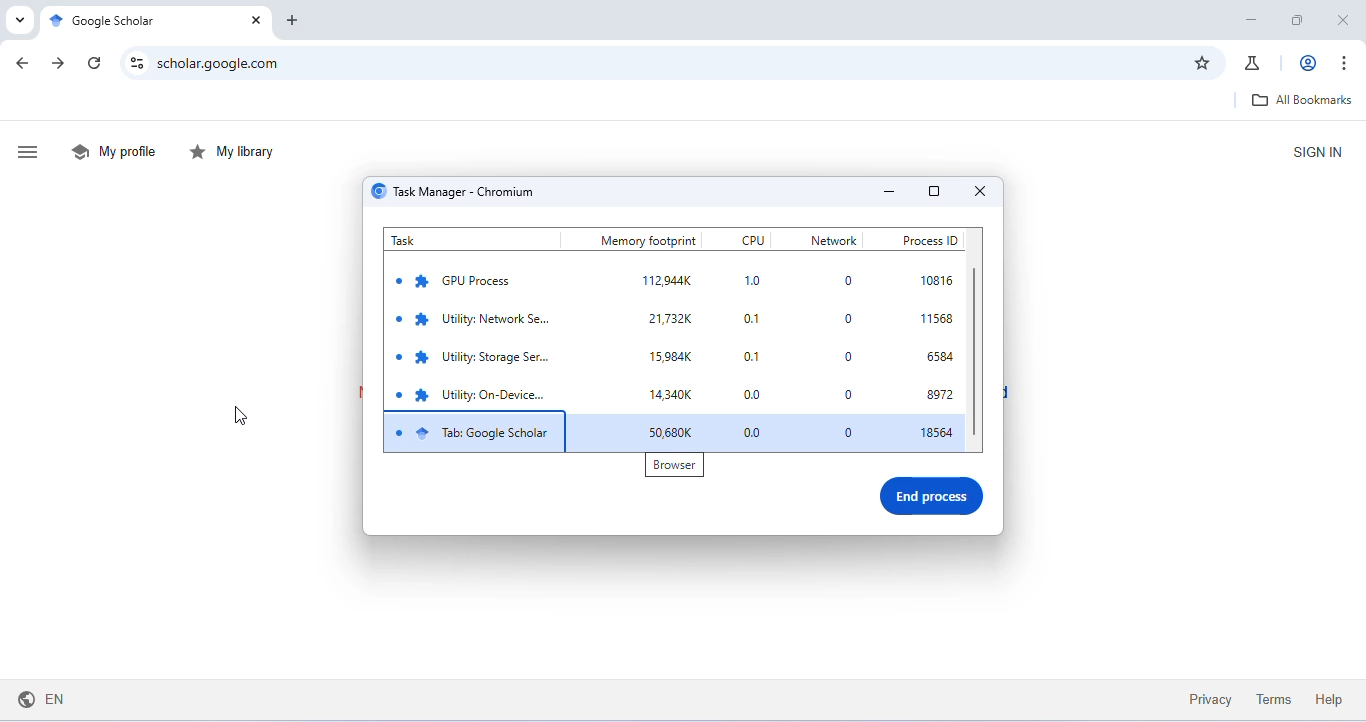  I want to click on help, so click(1328, 699).